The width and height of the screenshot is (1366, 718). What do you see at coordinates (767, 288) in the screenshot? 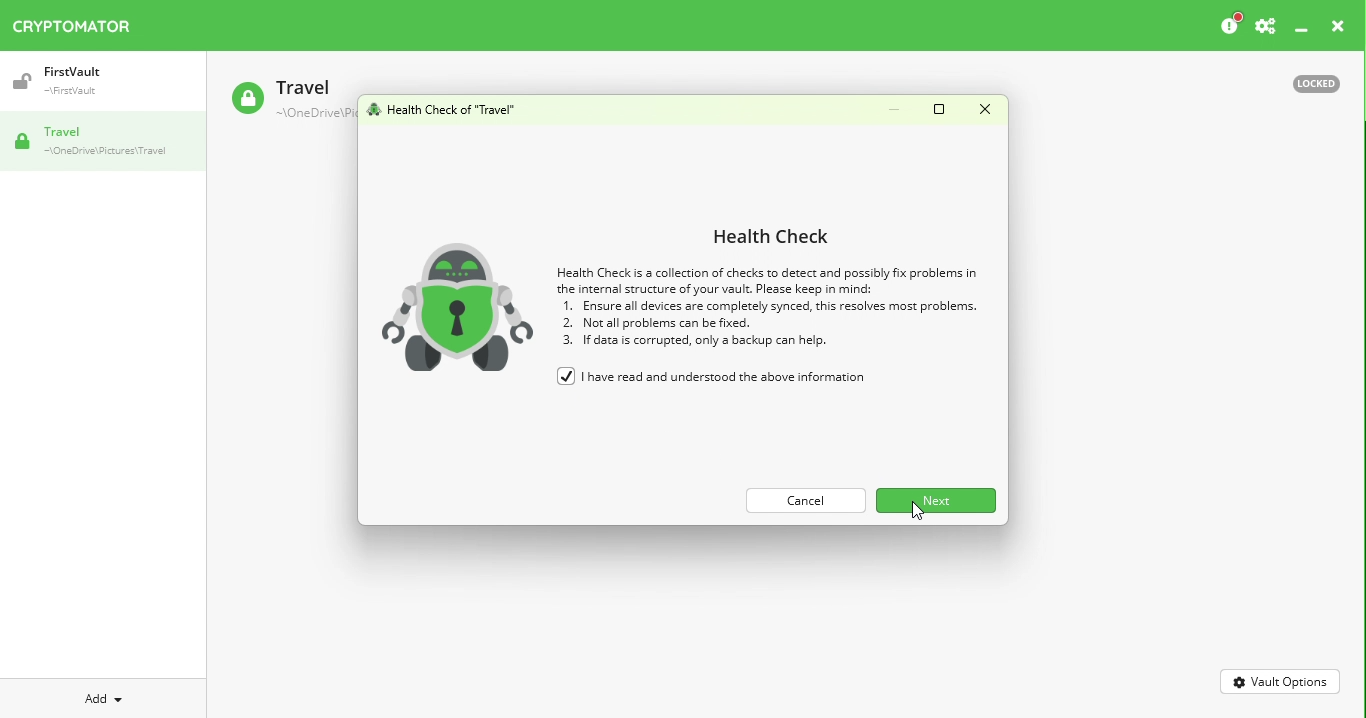
I see `Health check information` at bounding box center [767, 288].